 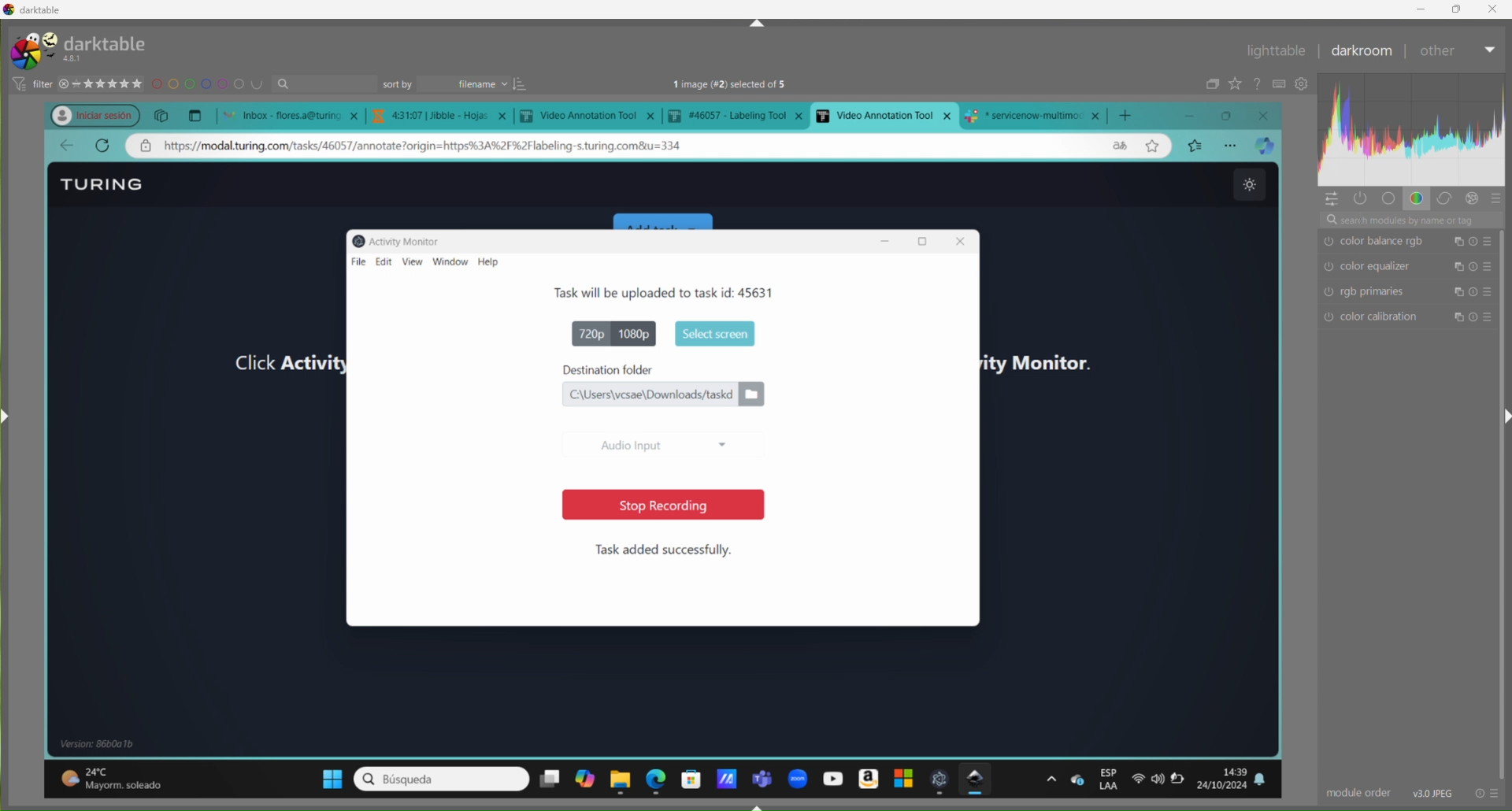 I want to click on text, so click(x=747, y=85).